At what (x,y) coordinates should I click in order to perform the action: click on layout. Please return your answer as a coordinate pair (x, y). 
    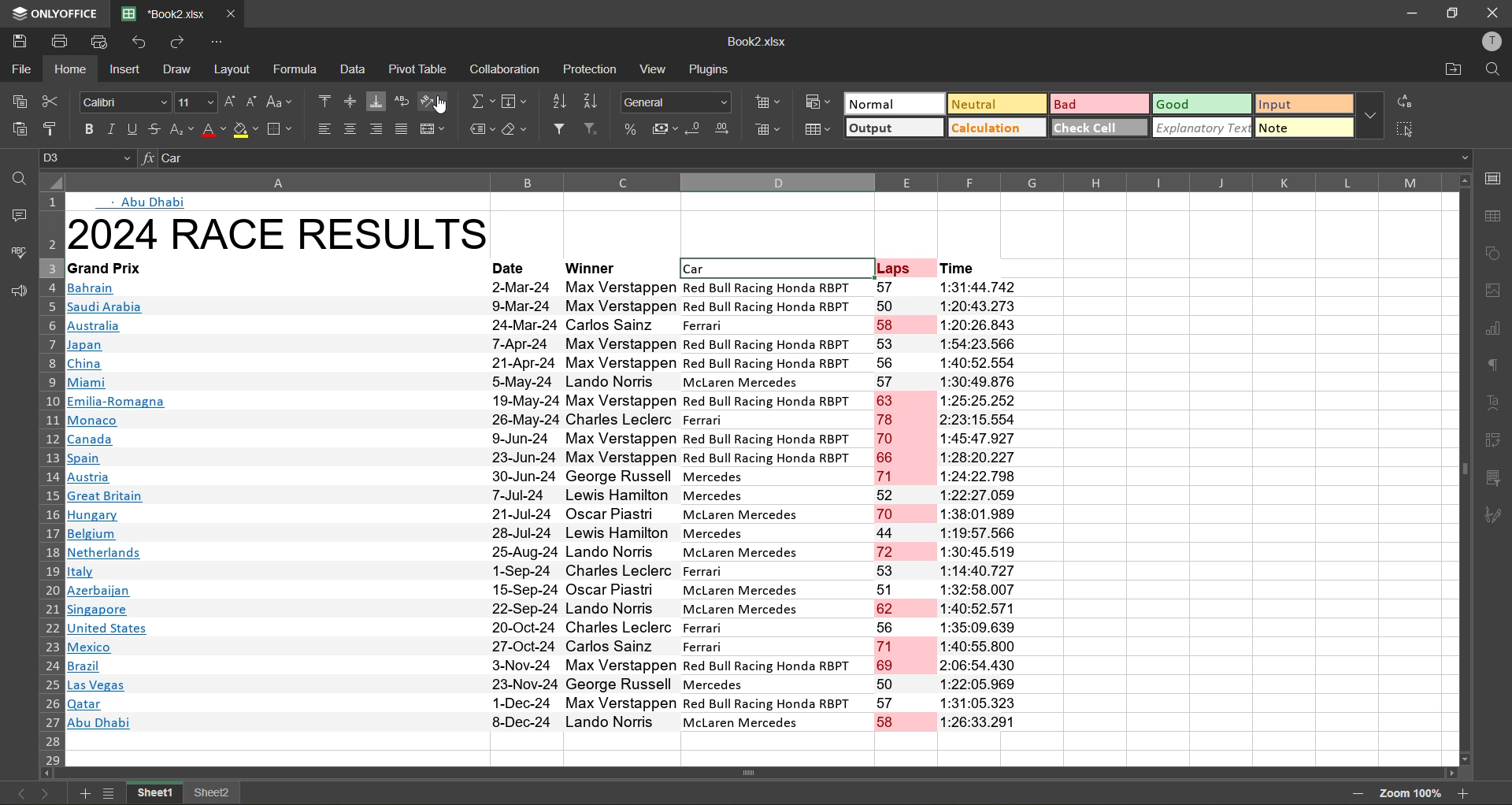
    Looking at the image, I should click on (230, 71).